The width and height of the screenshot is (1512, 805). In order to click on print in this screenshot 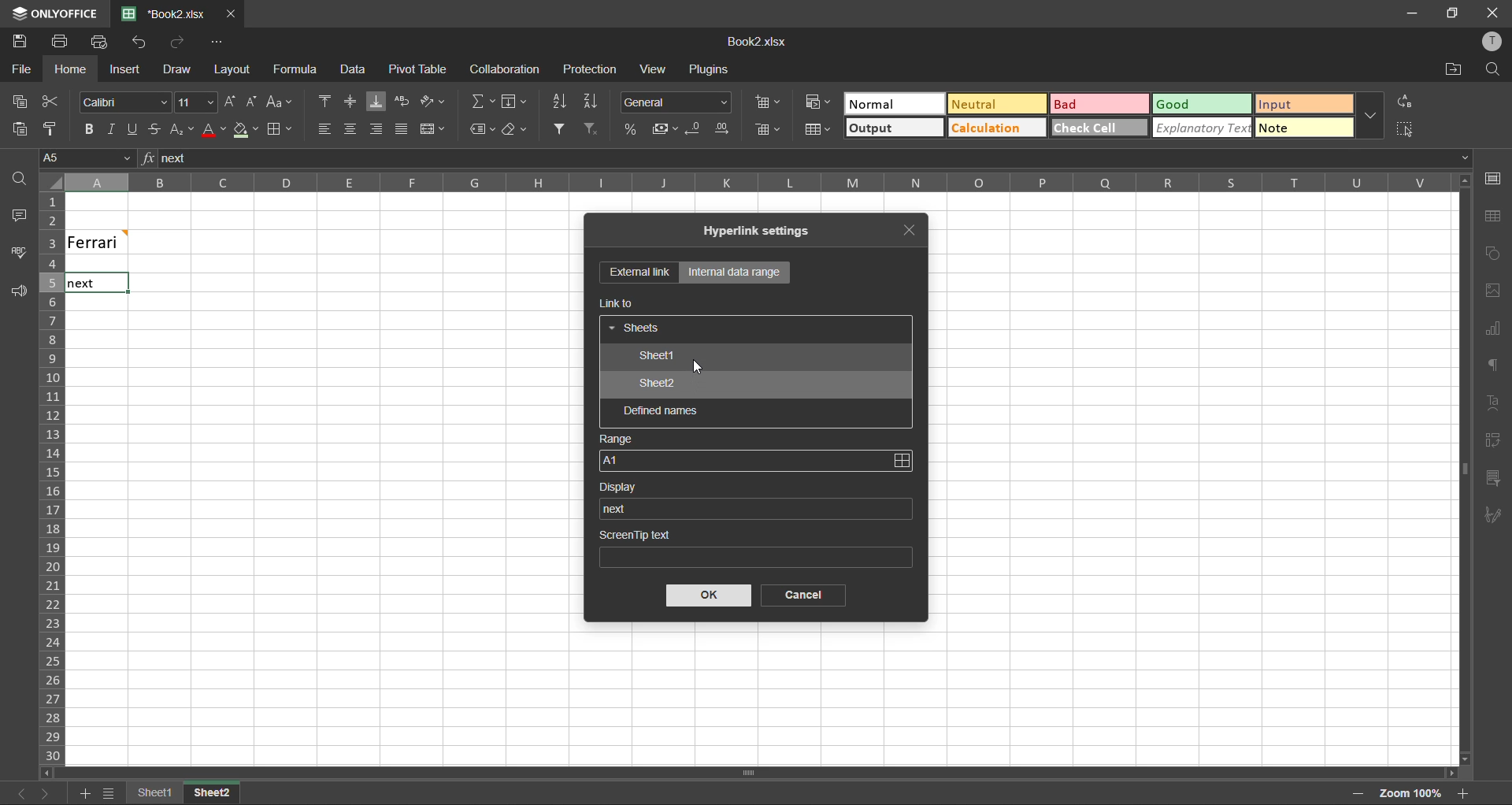, I will do `click(61, 41)`.